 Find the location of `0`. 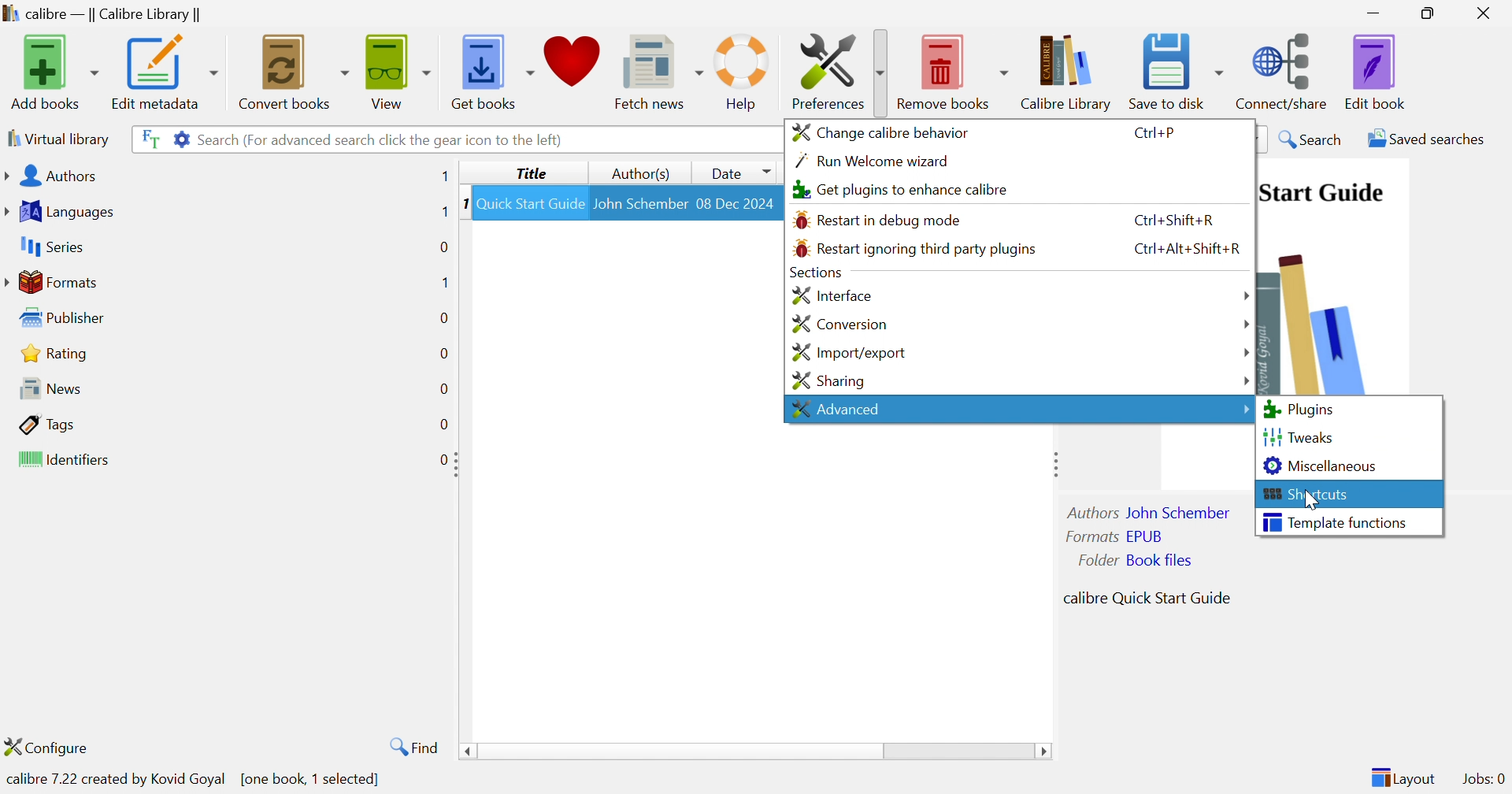

0 is located at coordinates (443, 245).